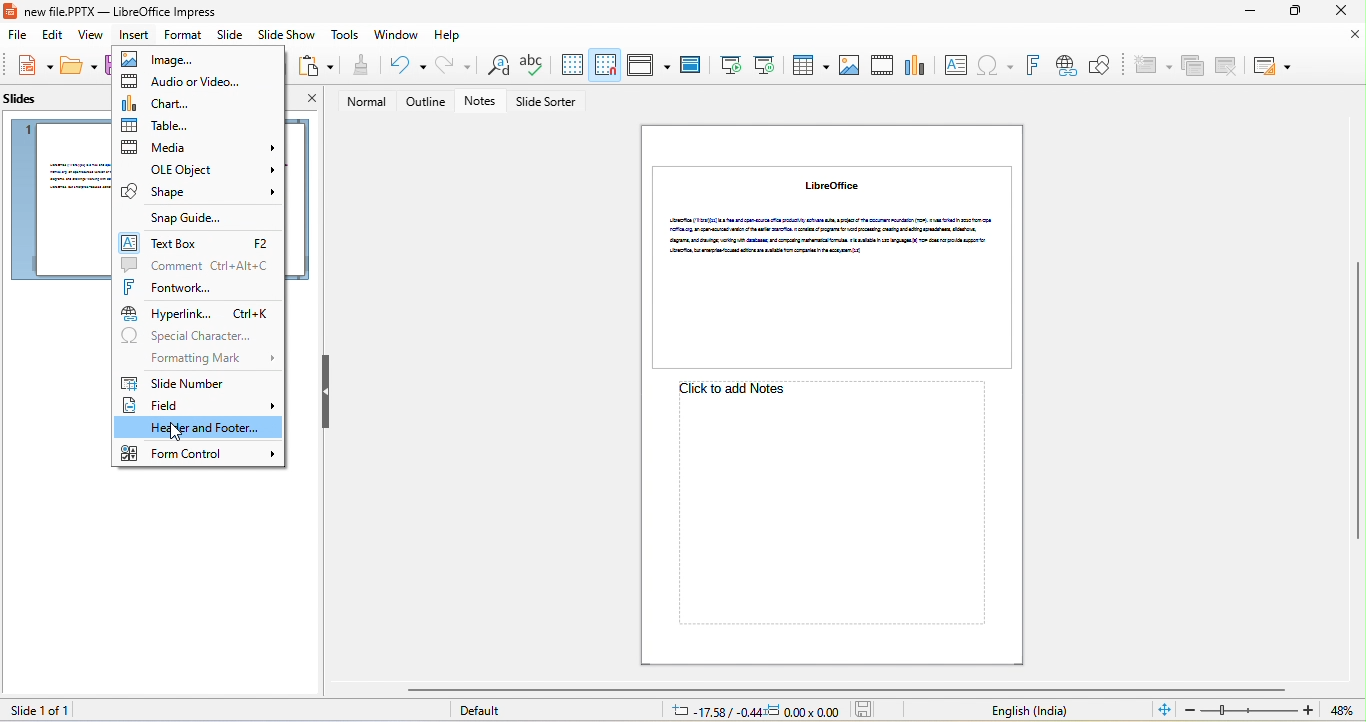 This screenshot has height=722, width=1366. I want to click on special character, so click(196, 336).